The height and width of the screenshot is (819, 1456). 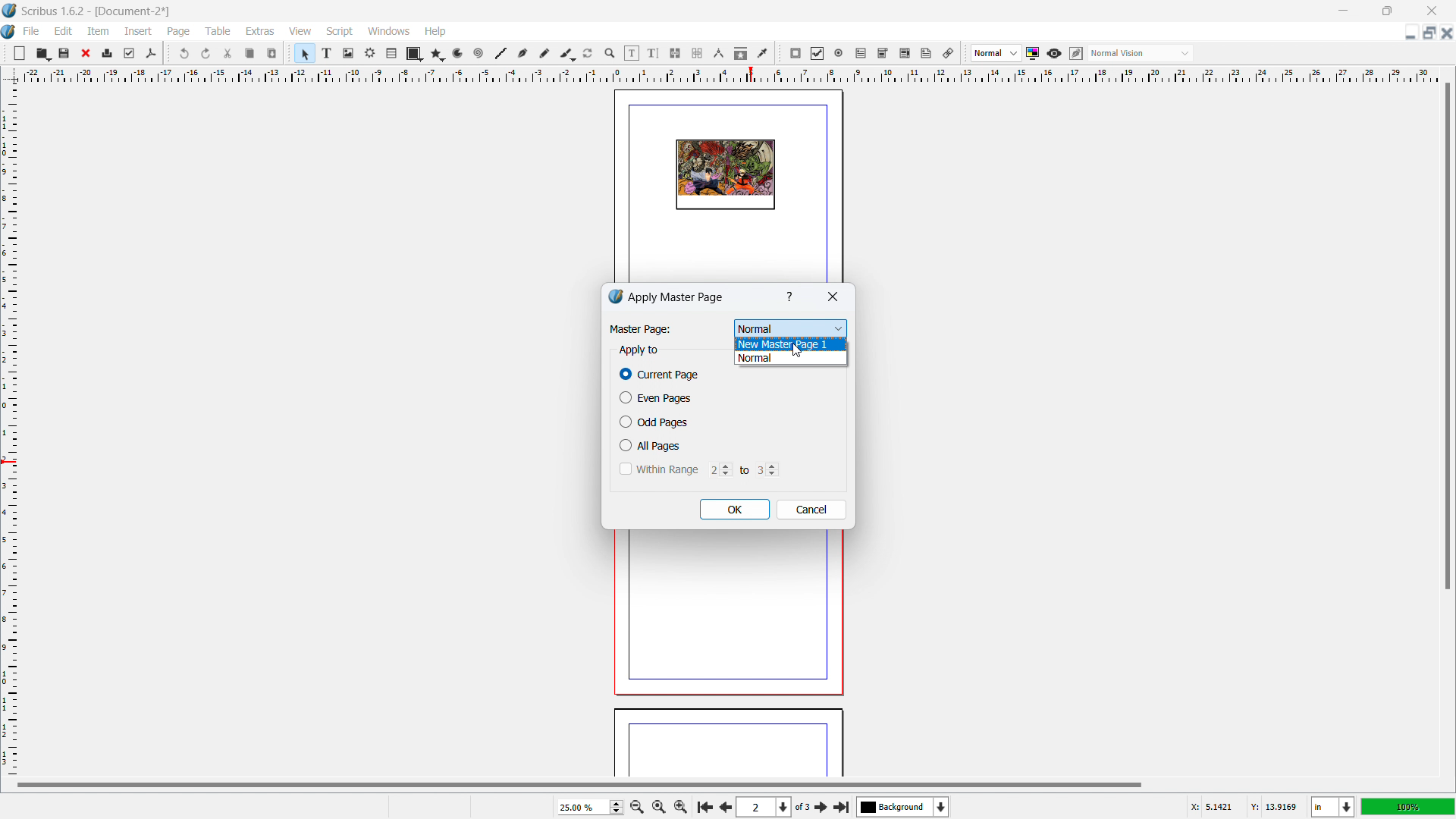 What do you see at coordinates (1408, 806) in the screenshot?
I see `zoom level` at bounding box center [1408, 806].